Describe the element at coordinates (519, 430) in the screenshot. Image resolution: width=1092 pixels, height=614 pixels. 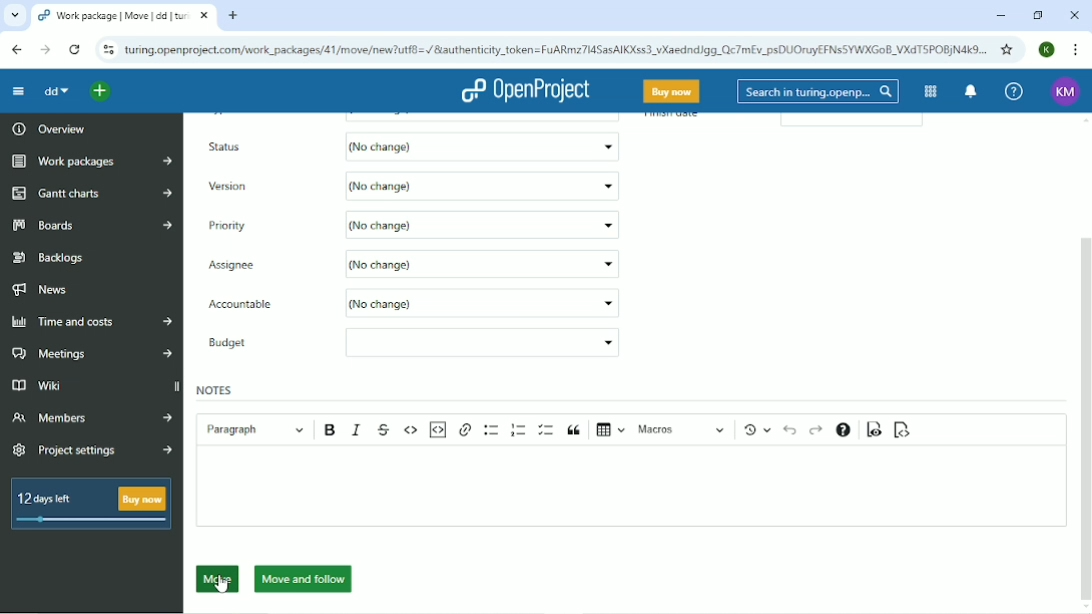
I see `Numbered list` at that location.